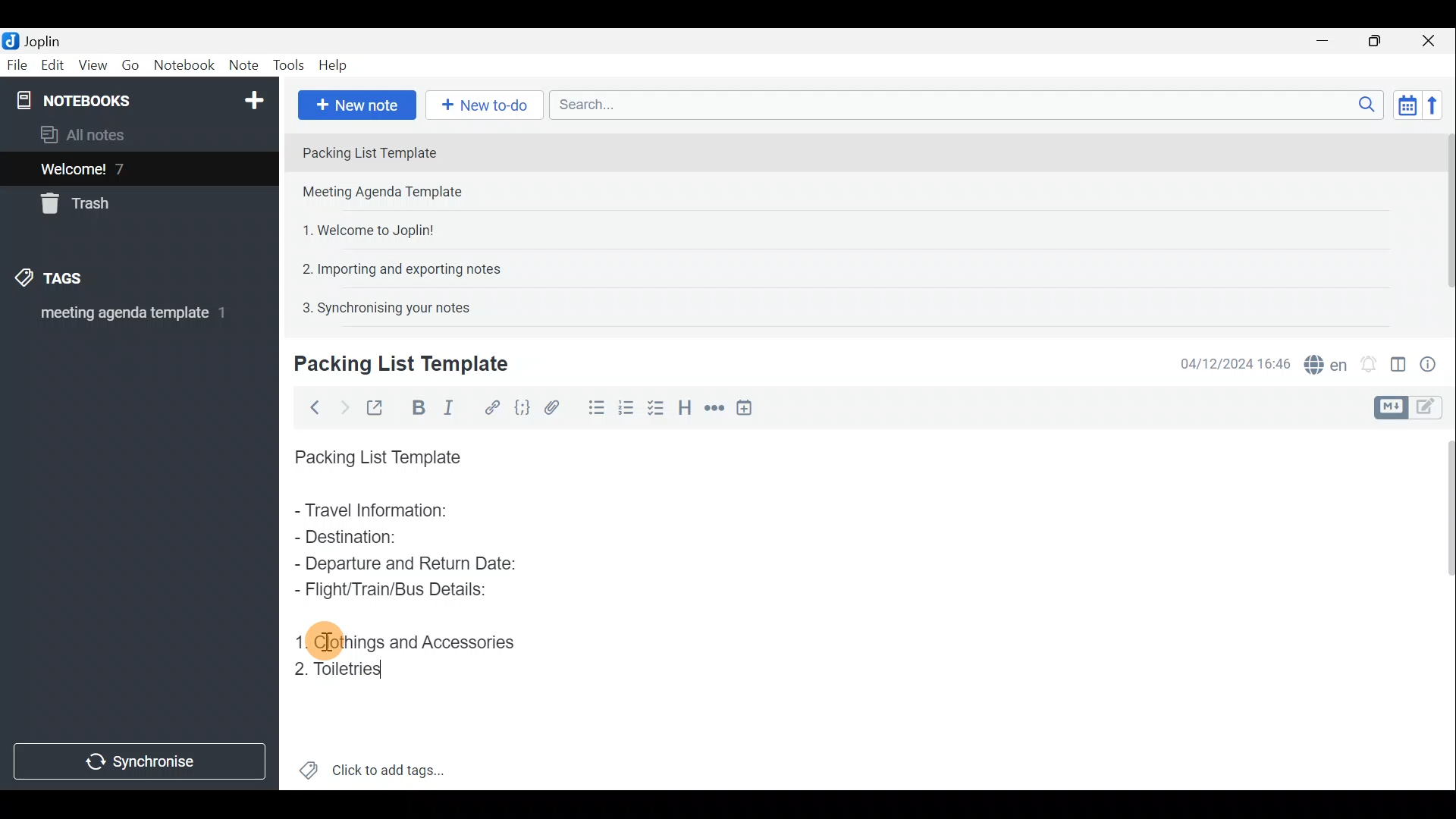 The width and height of the screenshot is (1456, 819). Describe the element at coordinates (1235, 362) in the screenshot. I see `Date & time` at that location.